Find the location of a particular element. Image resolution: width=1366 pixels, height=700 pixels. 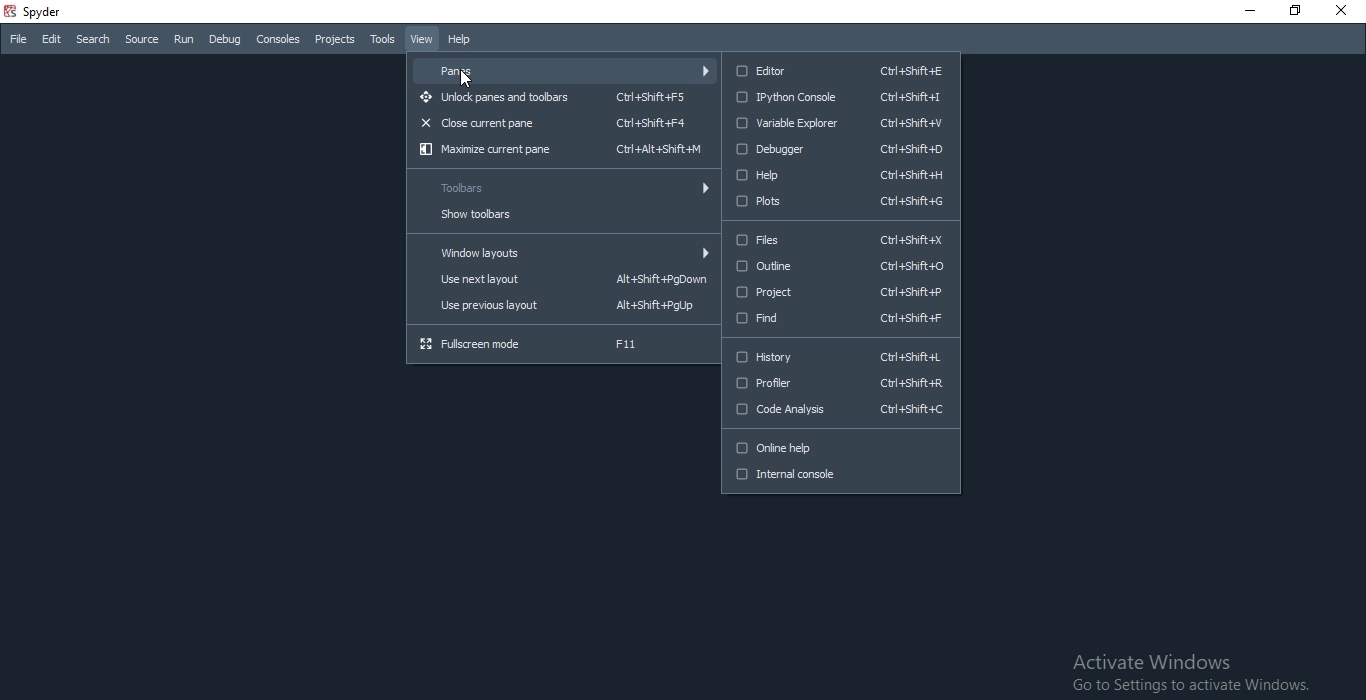

File is located at coordinates (18, 42).